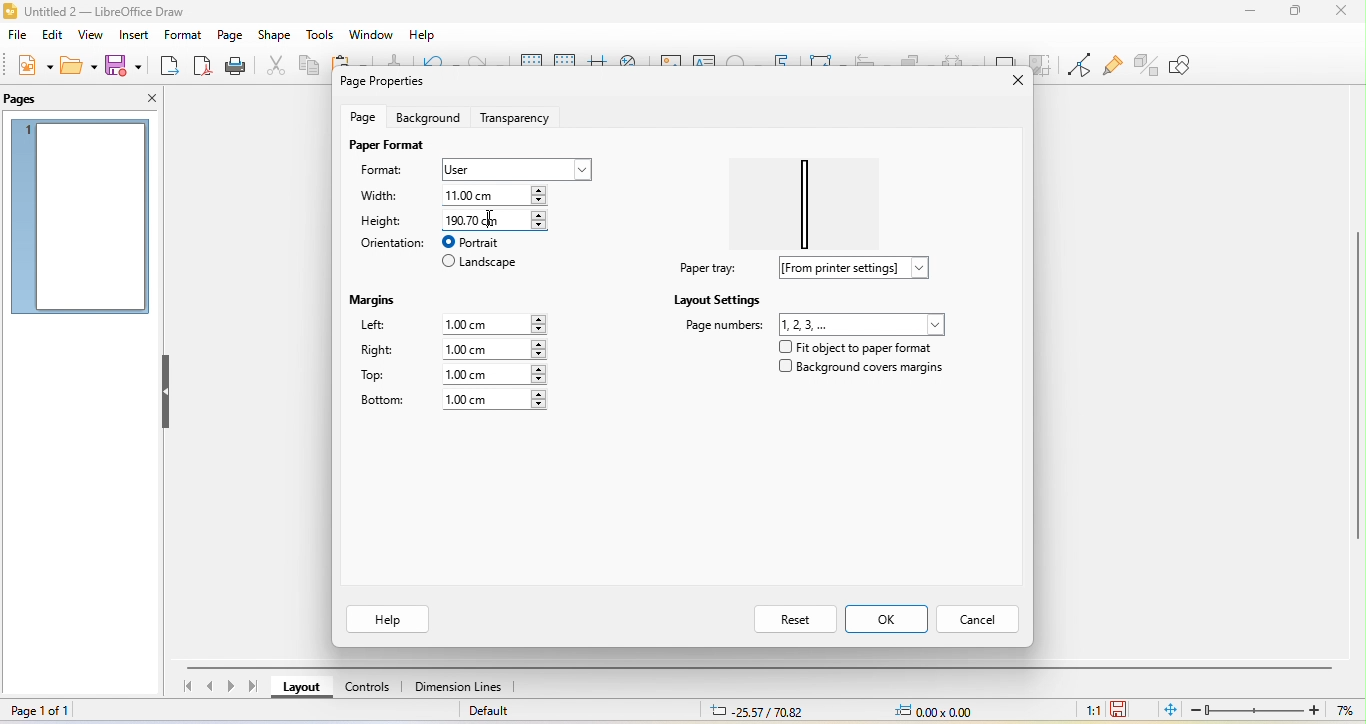 The height and width of the screenshot is (724, 1366). What do you see at coordinates (50, 711) in the screenshot?
I see `page 1 of 1` at bounding box center [50, 711].